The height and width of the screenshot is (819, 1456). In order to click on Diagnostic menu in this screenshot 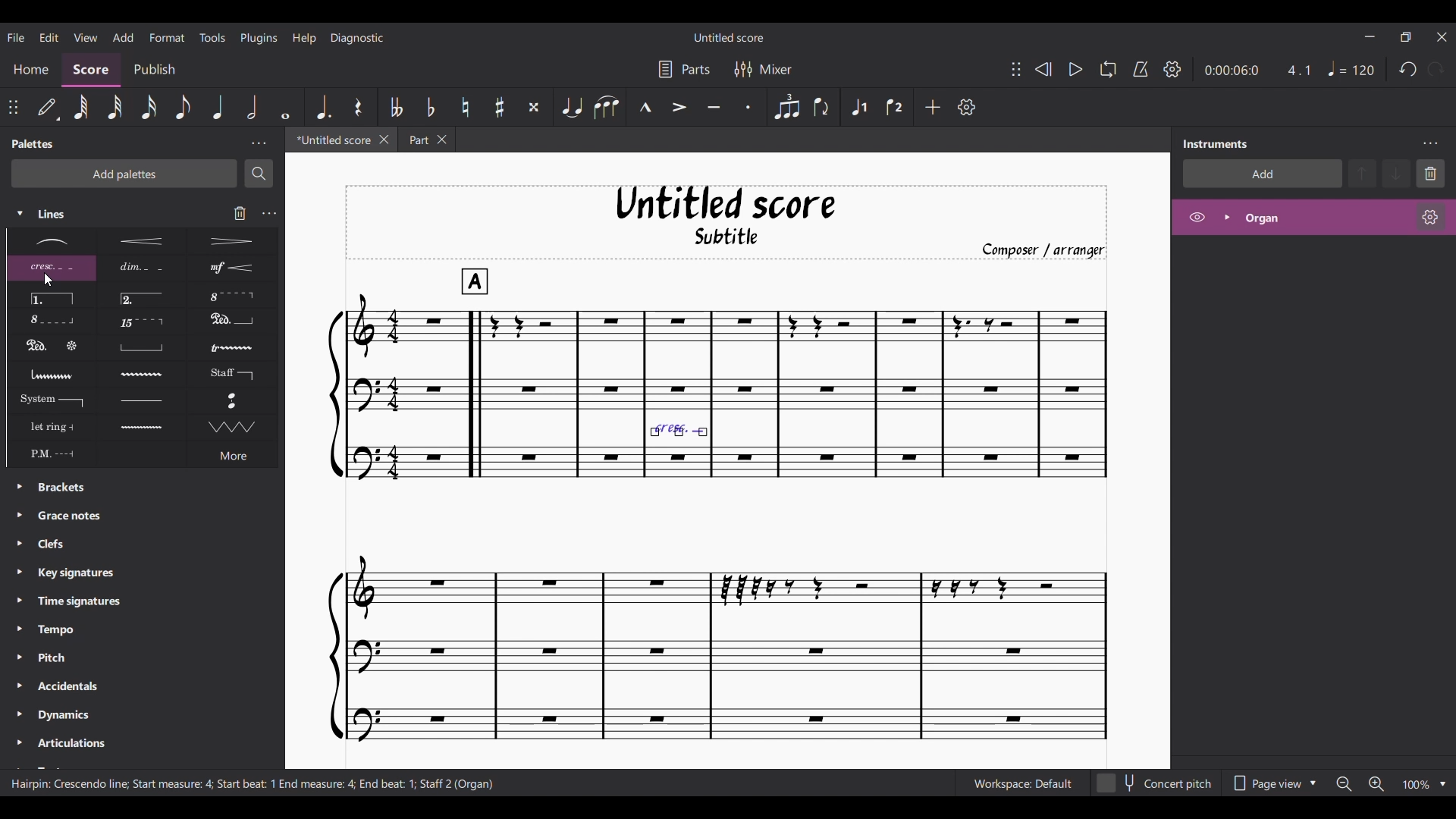, I will do `click(357, 38)`.